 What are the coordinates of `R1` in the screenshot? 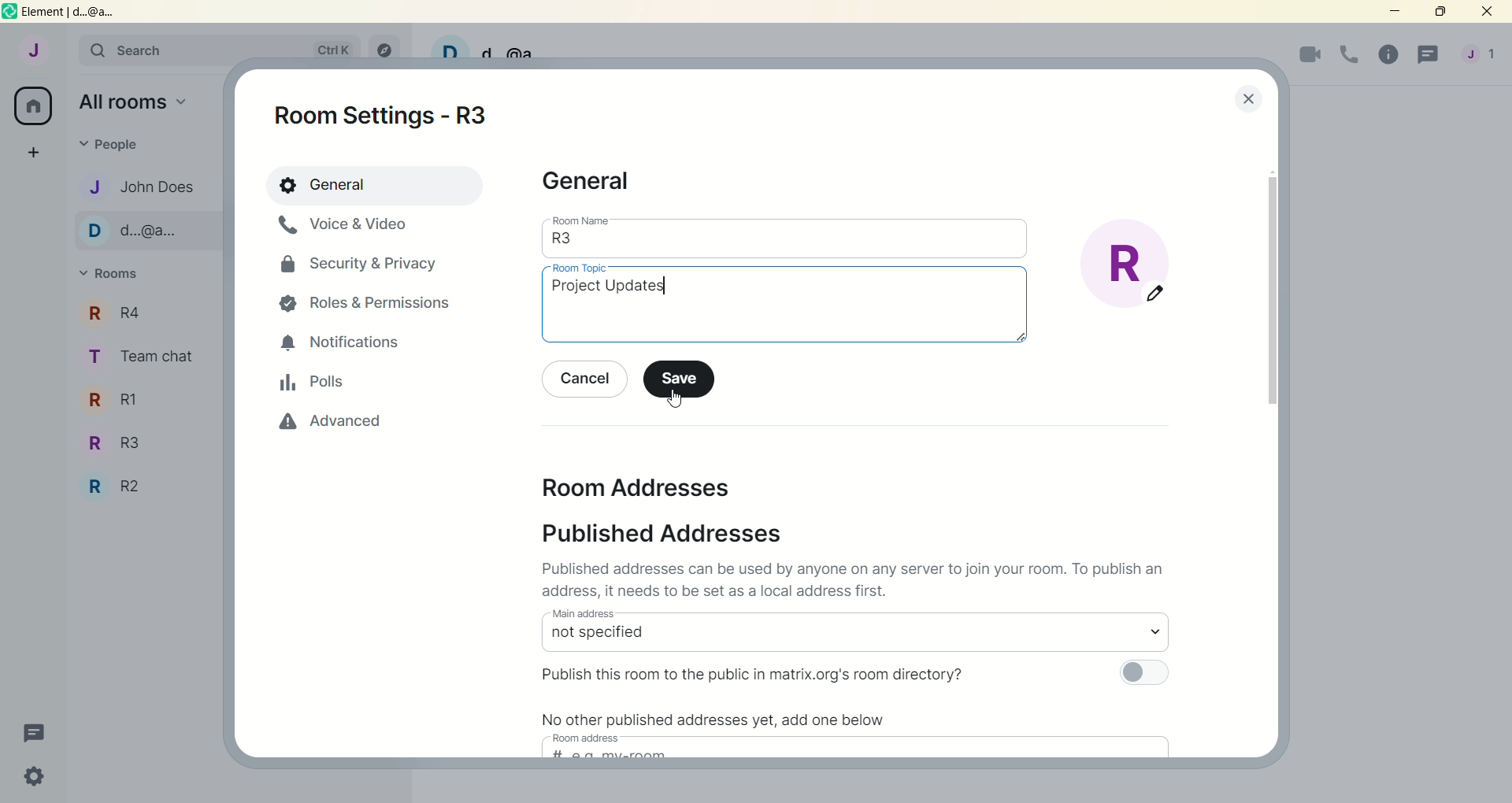 It's located at (140, 398).